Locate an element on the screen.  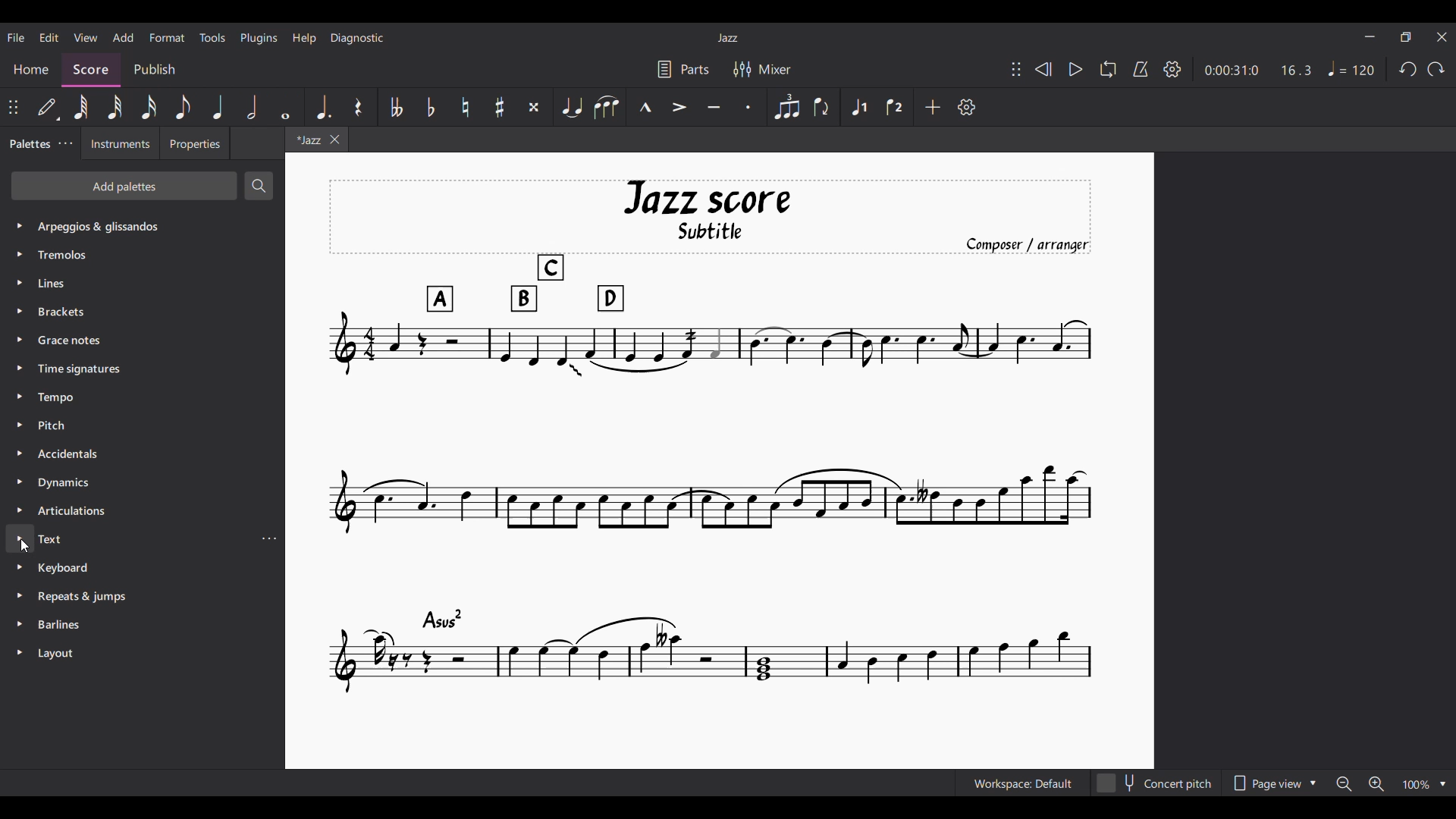
Toggle double flat is located at coordinates (395, 107).